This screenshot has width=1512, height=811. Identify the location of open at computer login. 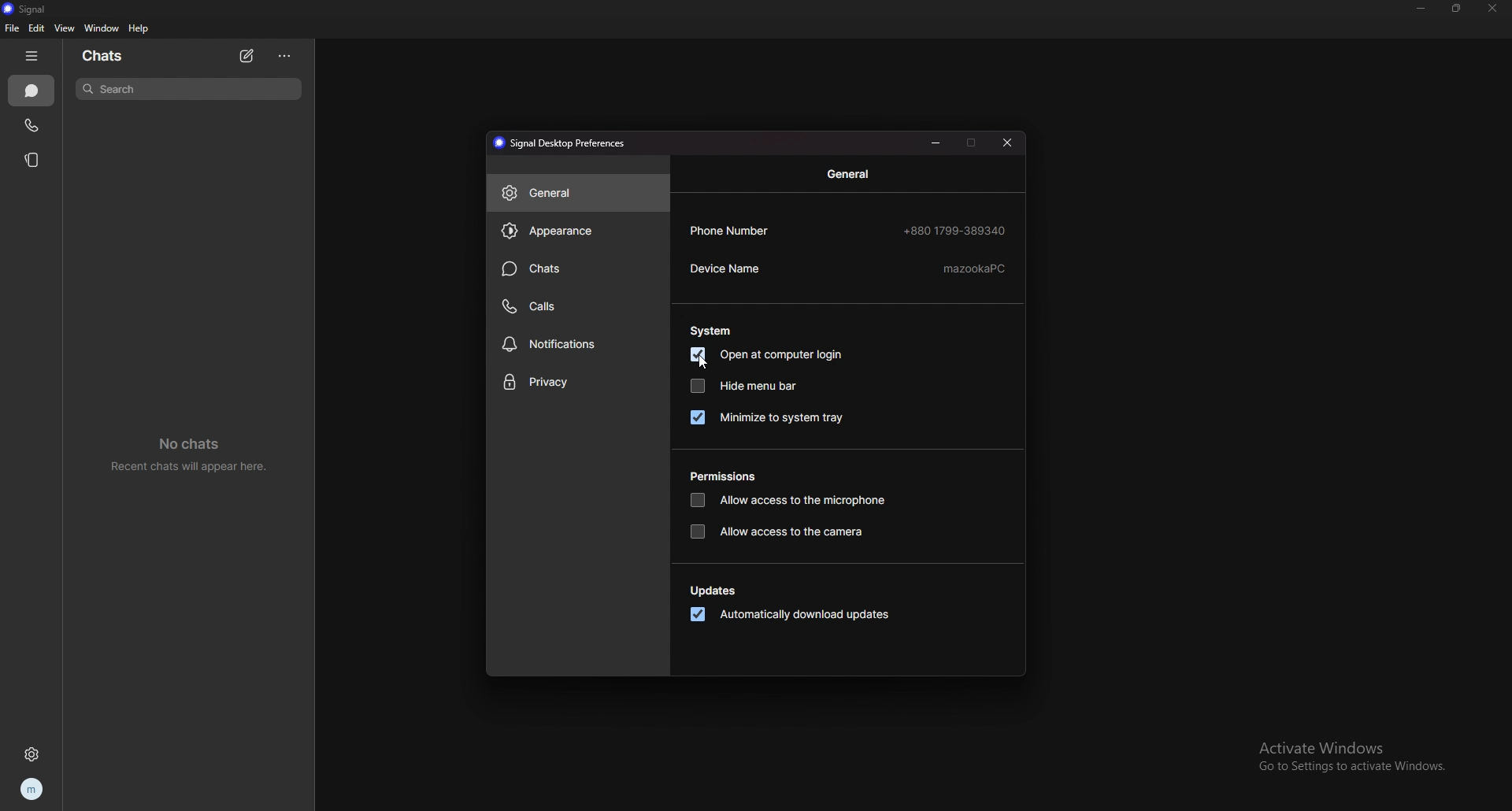
(771, 355).